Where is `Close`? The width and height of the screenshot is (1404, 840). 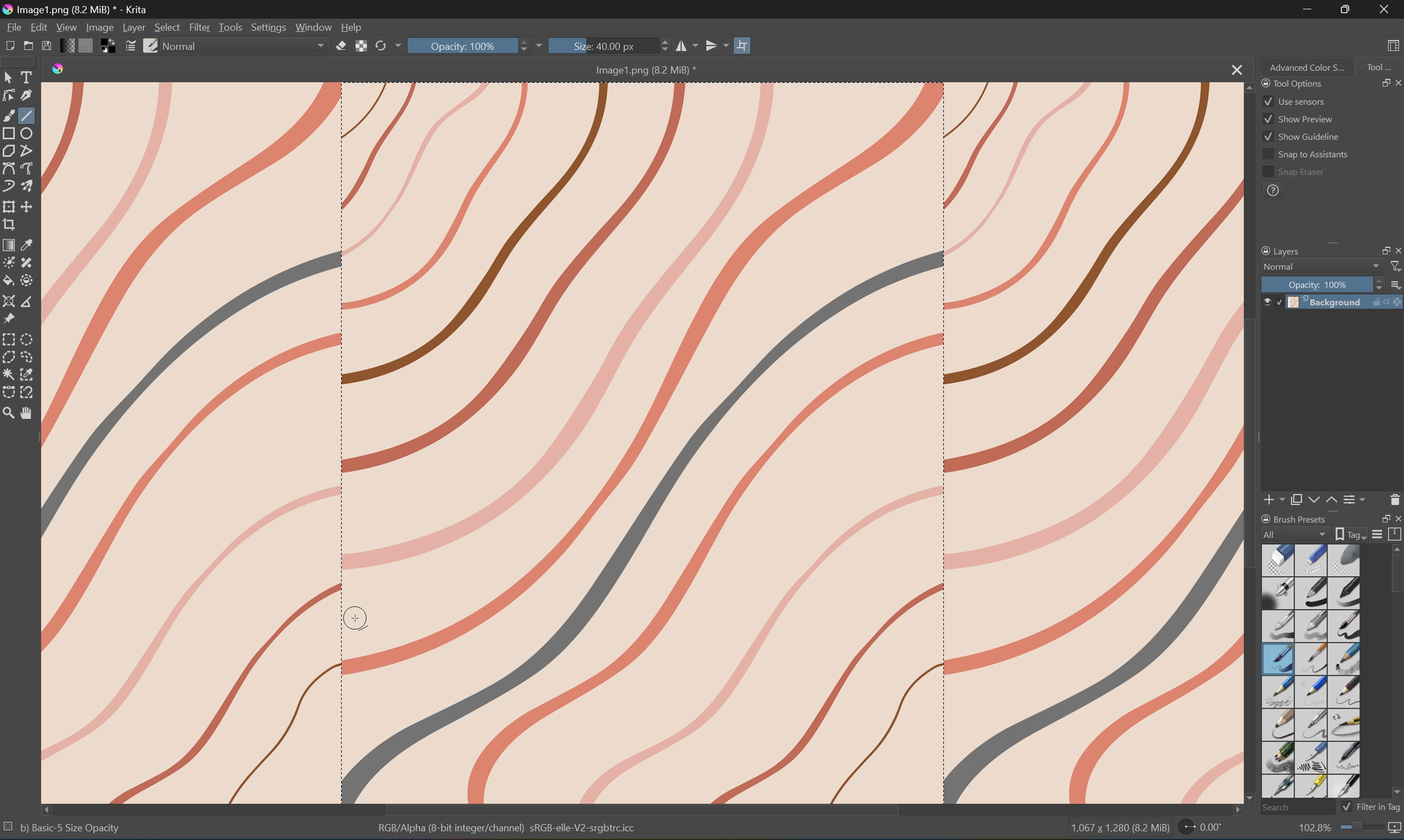
Close is located at coordinates (1385, 9).